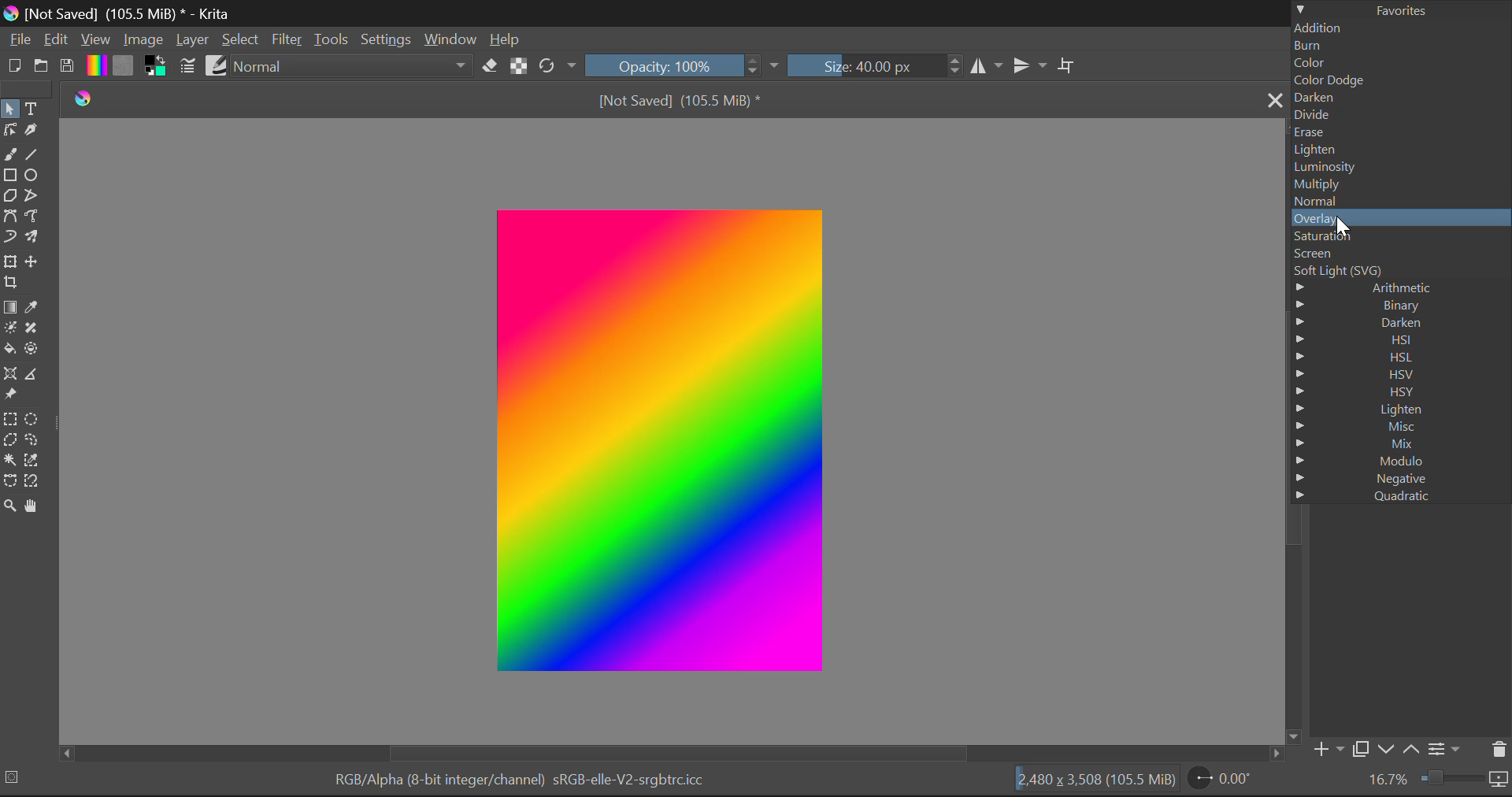  What do you see at coordinates (30, 217) in the screenshot?
I see `Freehand Path Tool` at bounding box center [30, 217].